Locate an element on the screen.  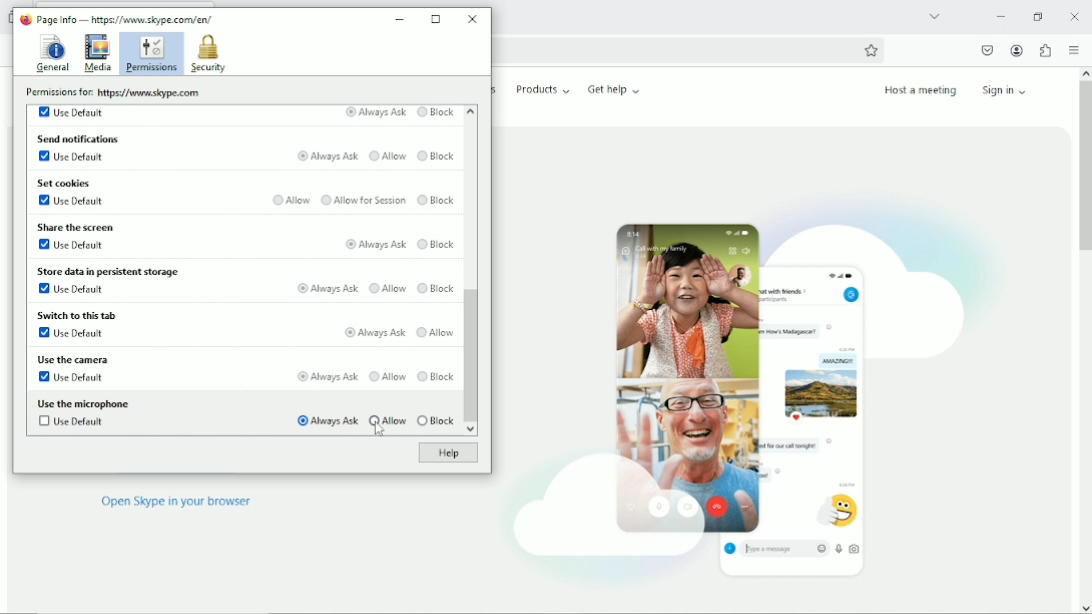
close is located at coordinates (1075, 16).